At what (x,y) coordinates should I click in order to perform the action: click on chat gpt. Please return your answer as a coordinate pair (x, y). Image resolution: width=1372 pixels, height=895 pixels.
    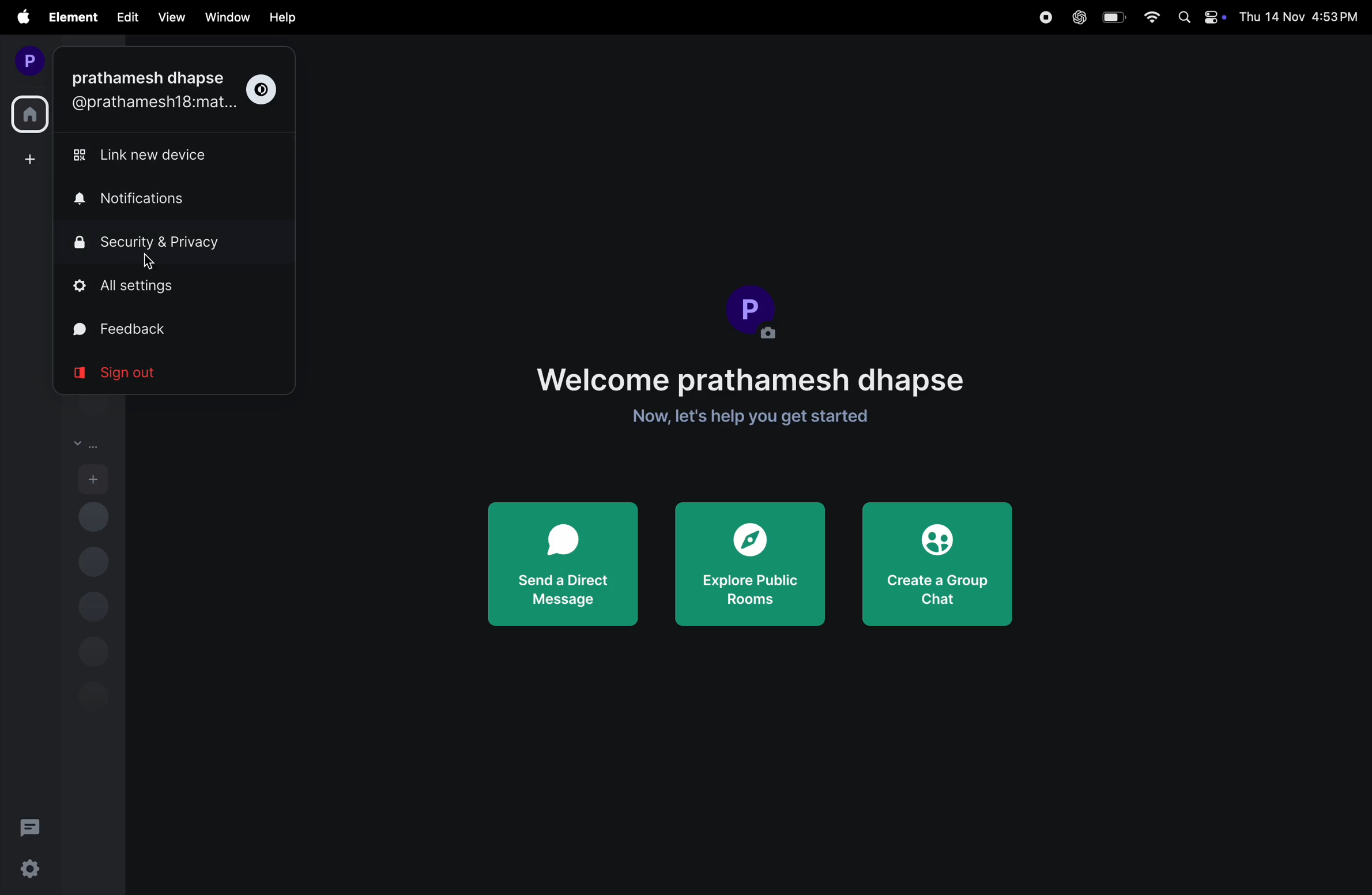
    Looking at the image, I should click on (1077, 17).